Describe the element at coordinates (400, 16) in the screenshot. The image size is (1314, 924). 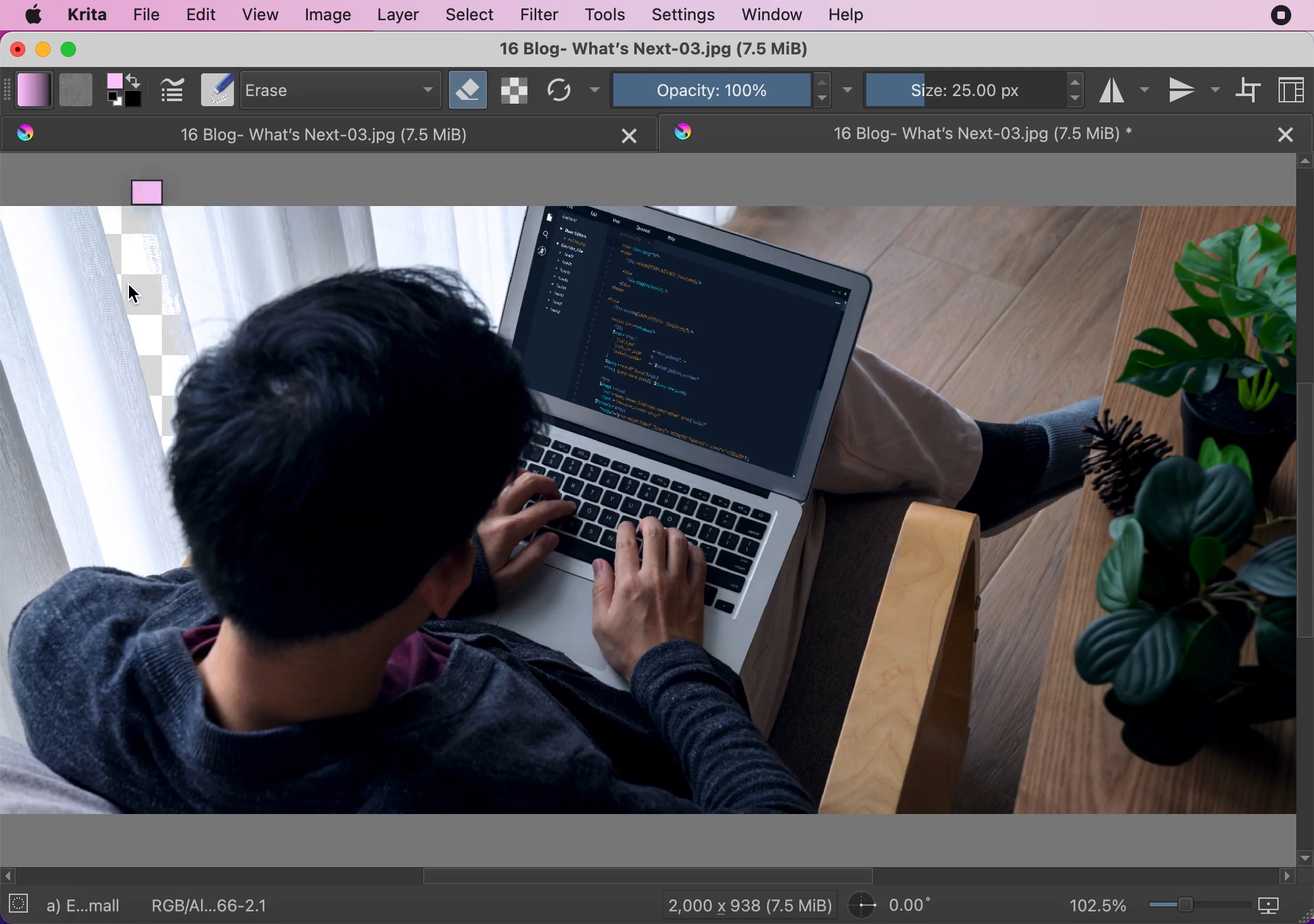
I see `layer` at that location.